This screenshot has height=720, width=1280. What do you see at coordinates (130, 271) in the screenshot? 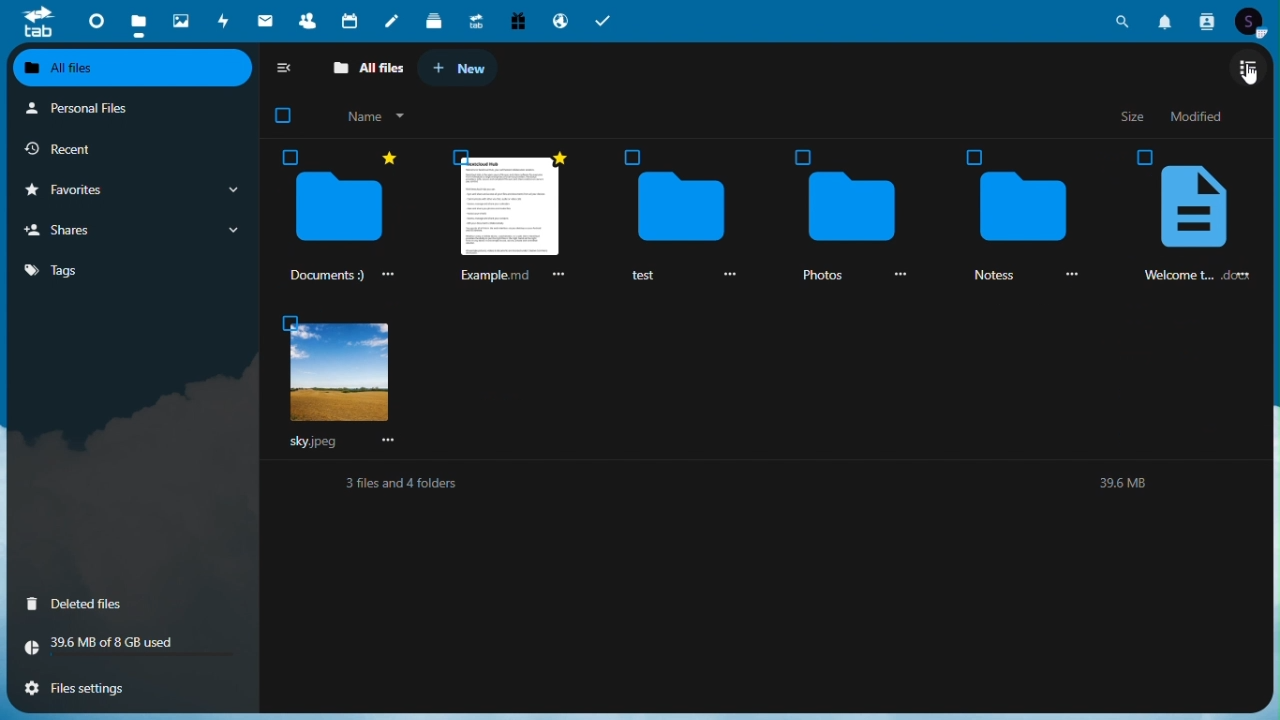
I see `tags` at bounding box center [130, 271].